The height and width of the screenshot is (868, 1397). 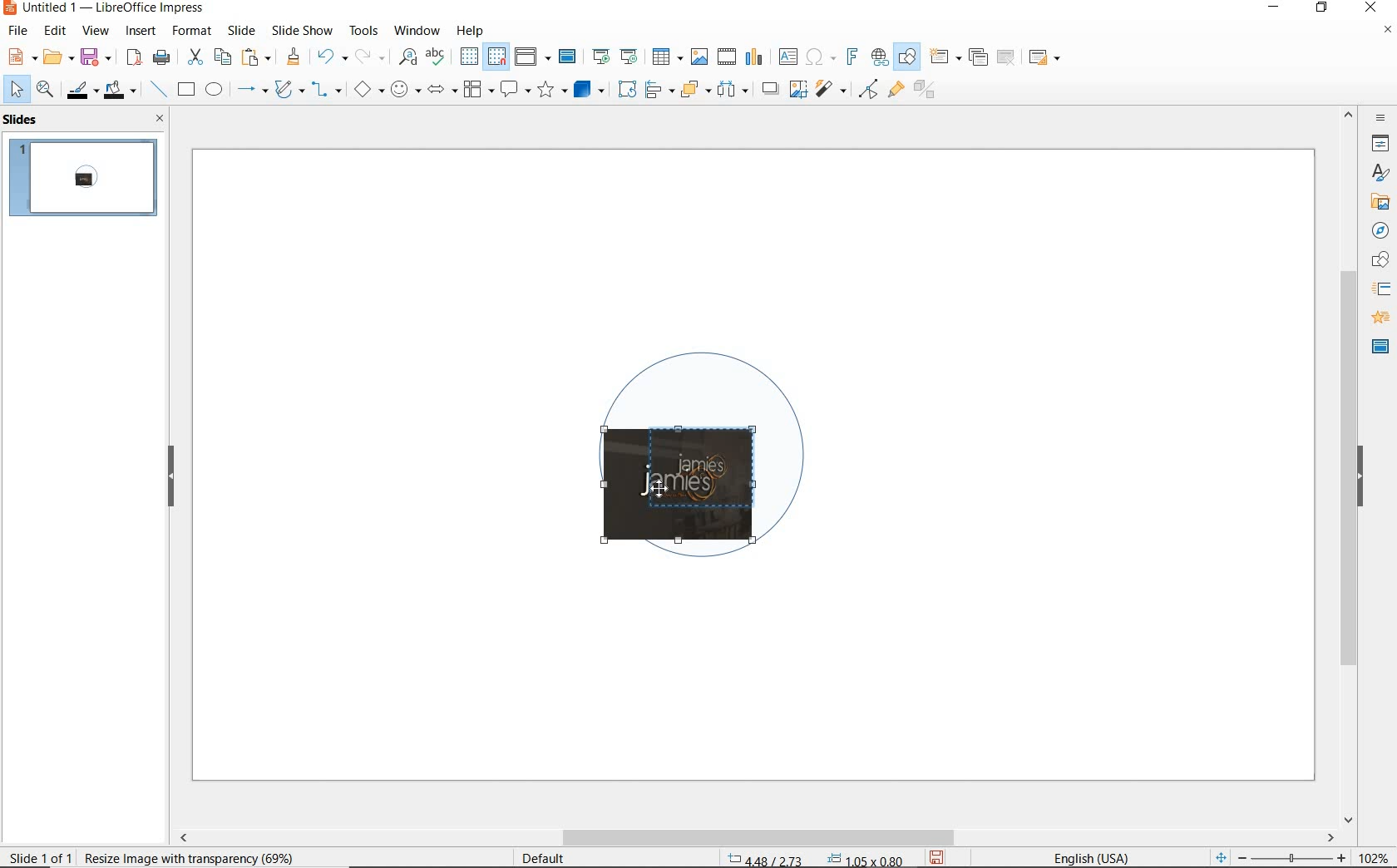 What do you see at coordinates (1380, 345) in the screenshot?
I see `master slide` at bounding box center [1380, 345].